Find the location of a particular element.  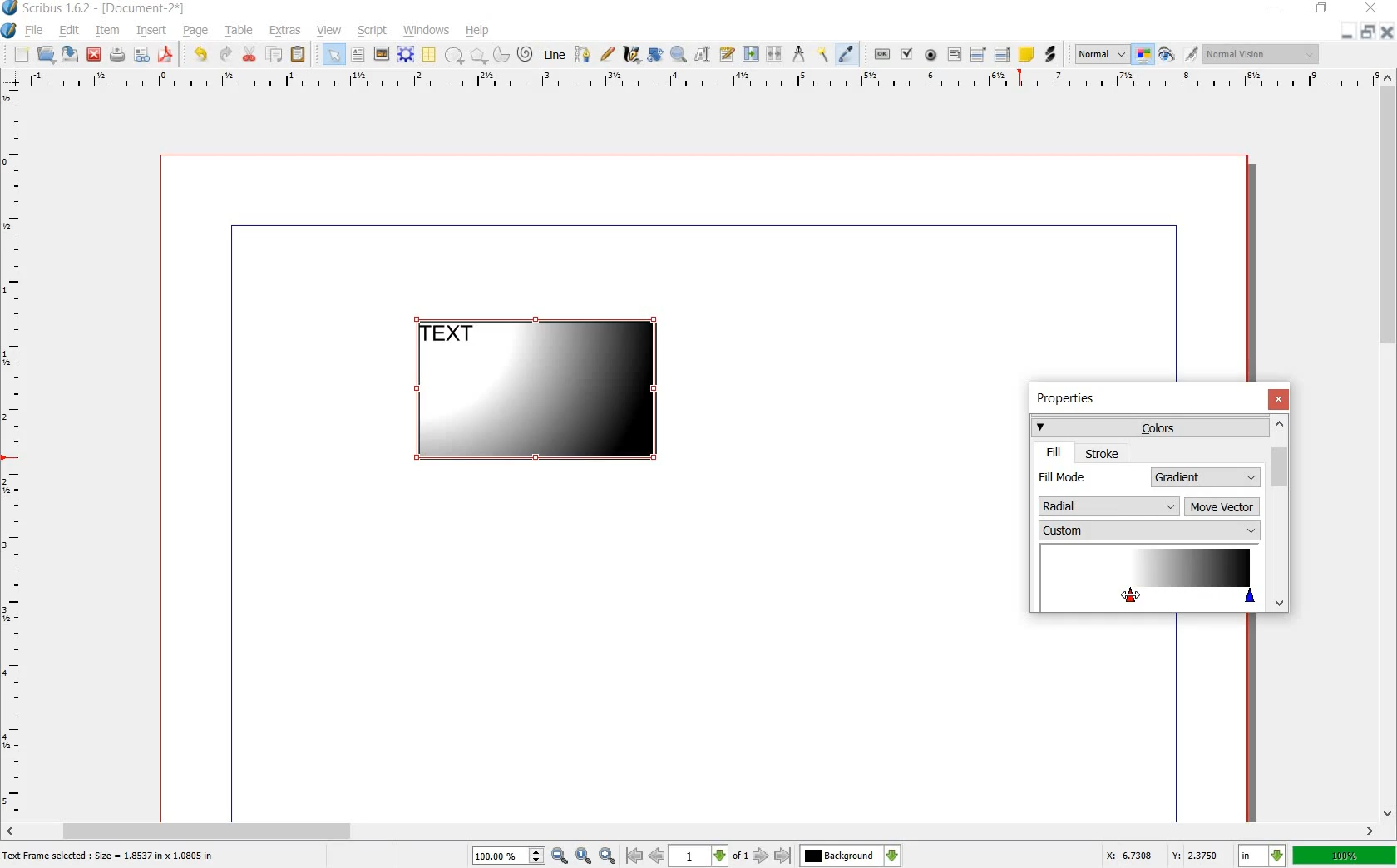

copy is located at coordinates (275, 55).